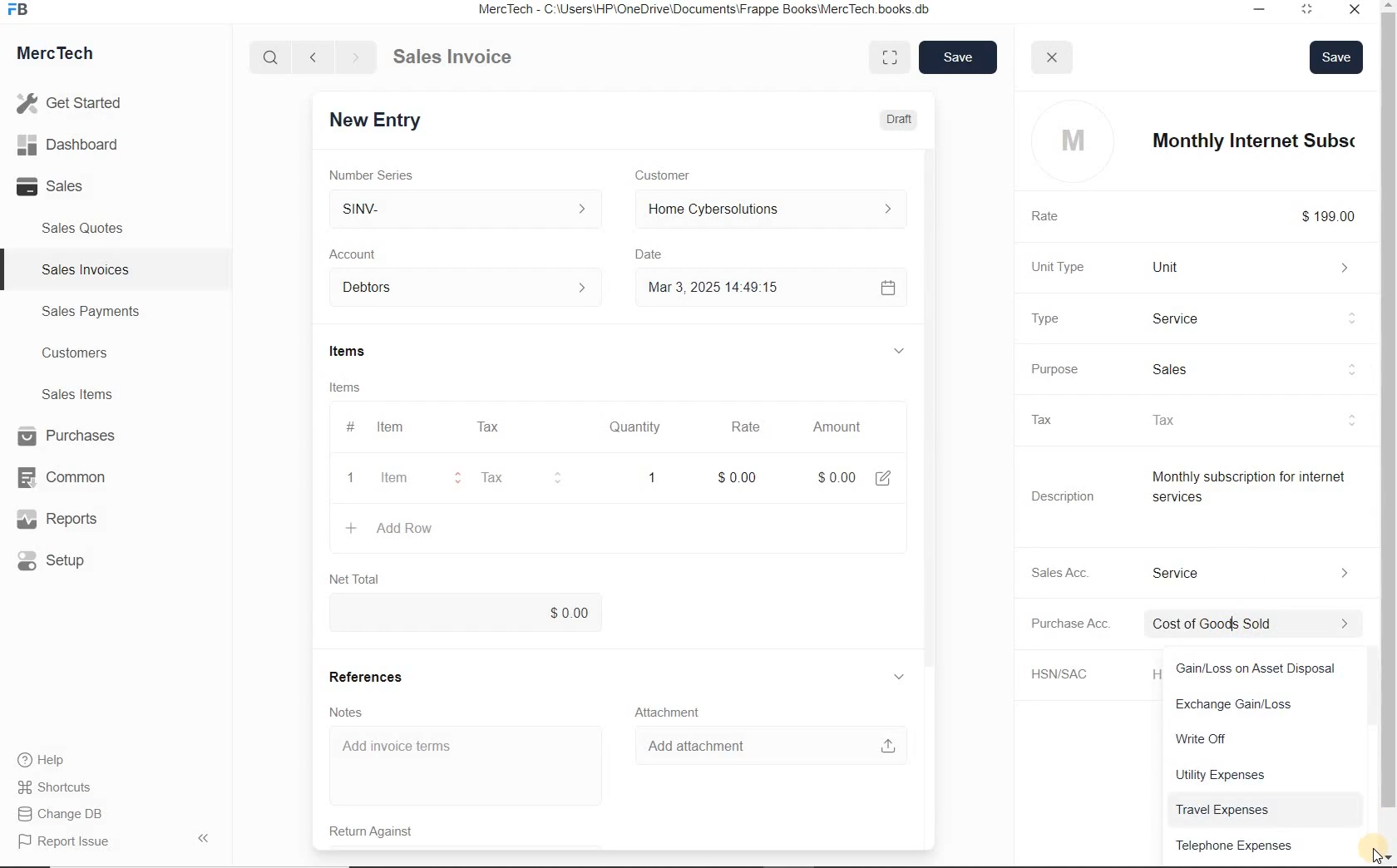 Image resolution: width=1397 pixels, height=868 pixels. Describe the element at coordinates (770, 745) in the screenshot. I see `Add attachment` at that location.